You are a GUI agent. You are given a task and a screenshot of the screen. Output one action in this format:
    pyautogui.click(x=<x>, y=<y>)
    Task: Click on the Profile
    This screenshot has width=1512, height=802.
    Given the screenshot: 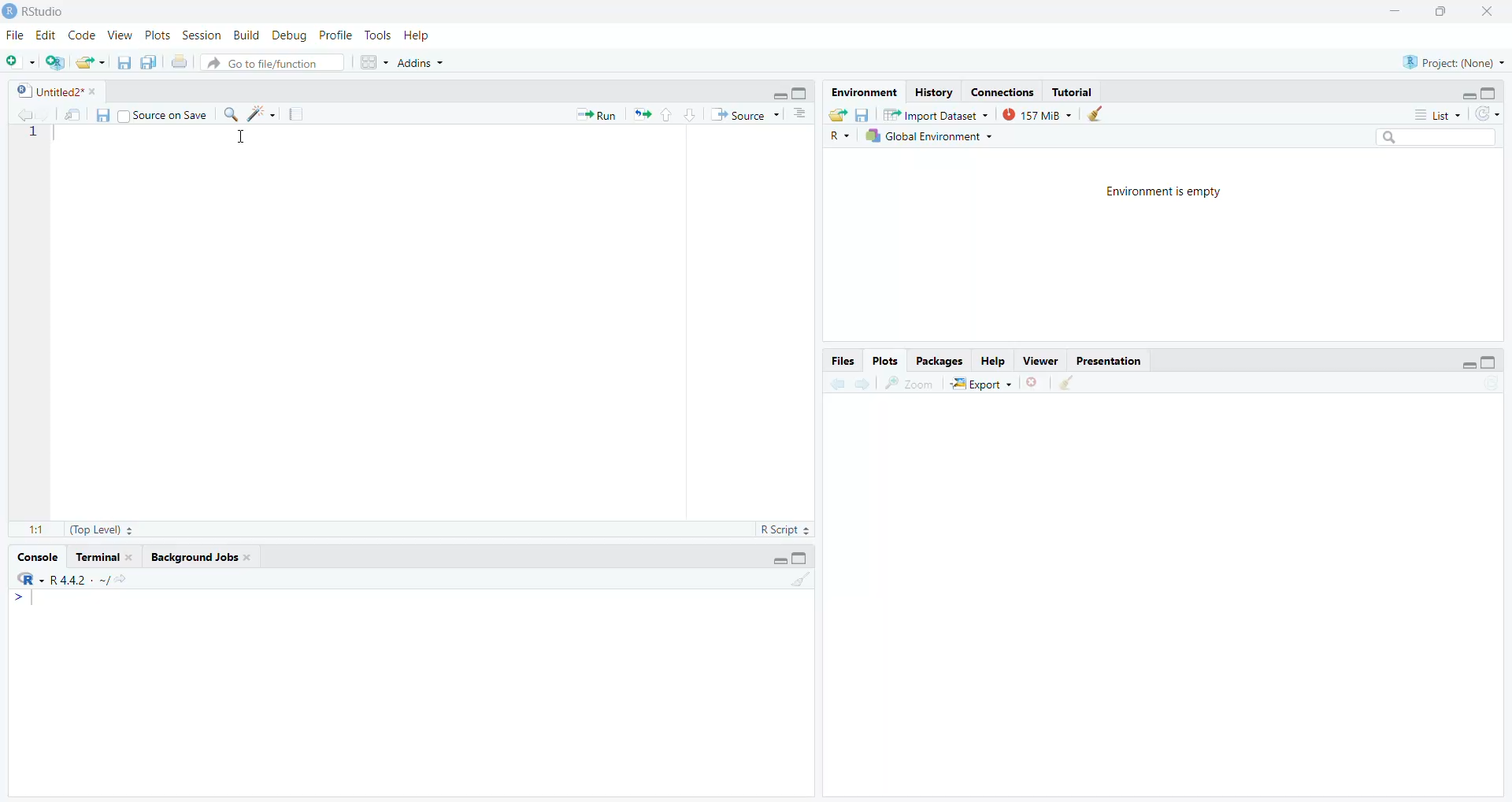 What is the action you would take?
    pyautogui.click(x=334, y=35)
    